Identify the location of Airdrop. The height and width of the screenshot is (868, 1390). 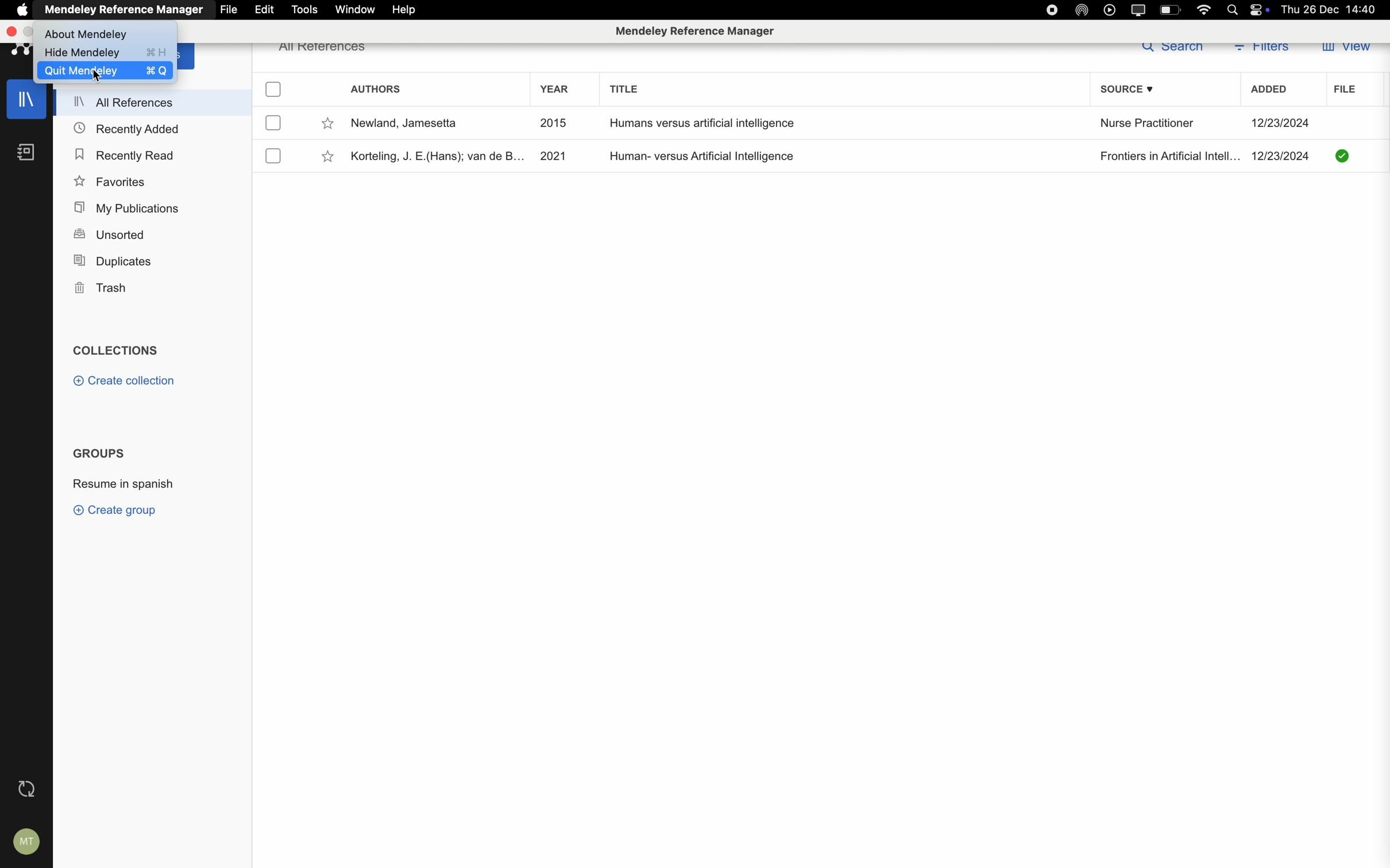
(1083, 10).